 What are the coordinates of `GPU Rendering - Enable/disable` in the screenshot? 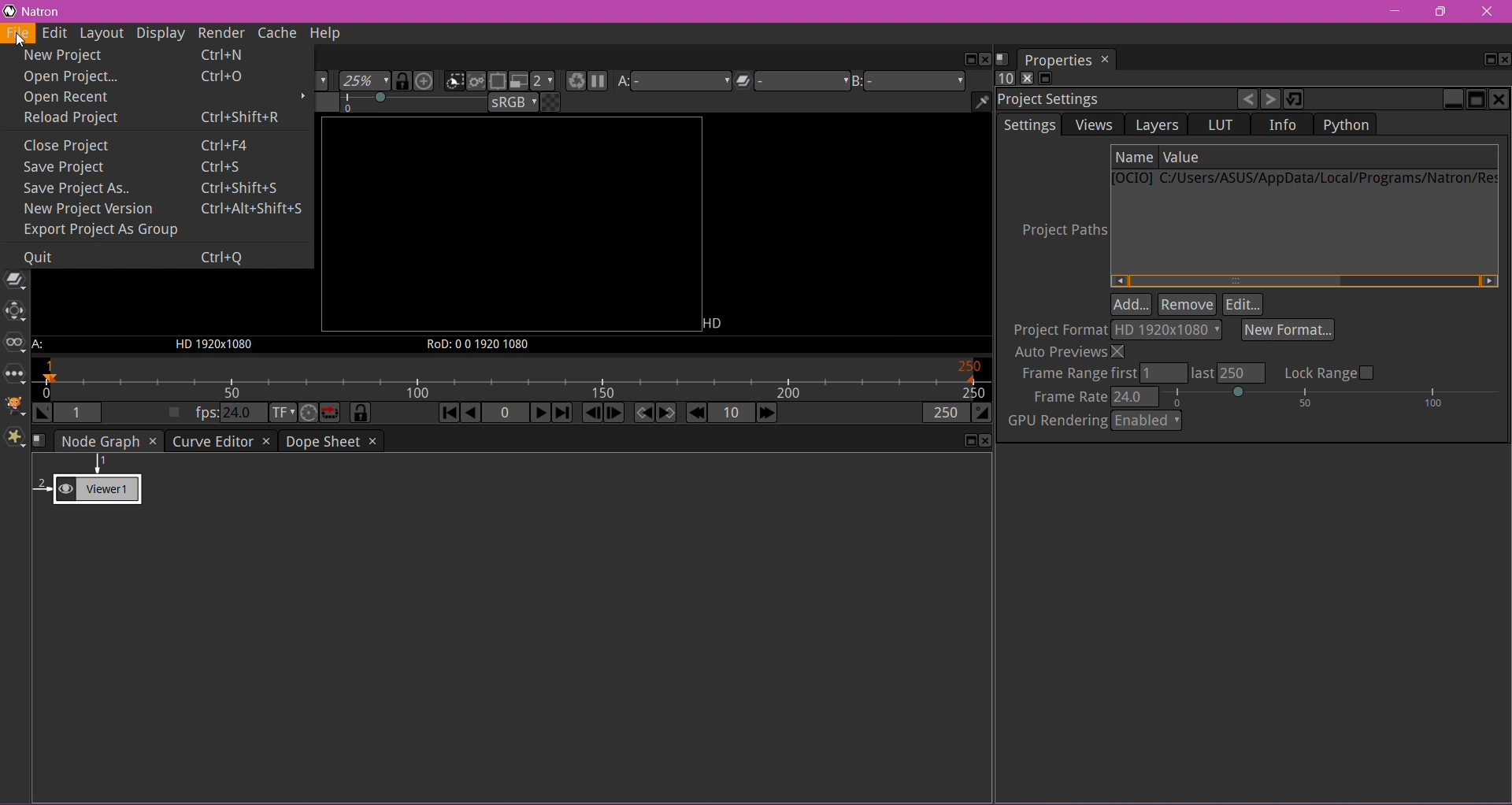 It's located at (1094, 422).